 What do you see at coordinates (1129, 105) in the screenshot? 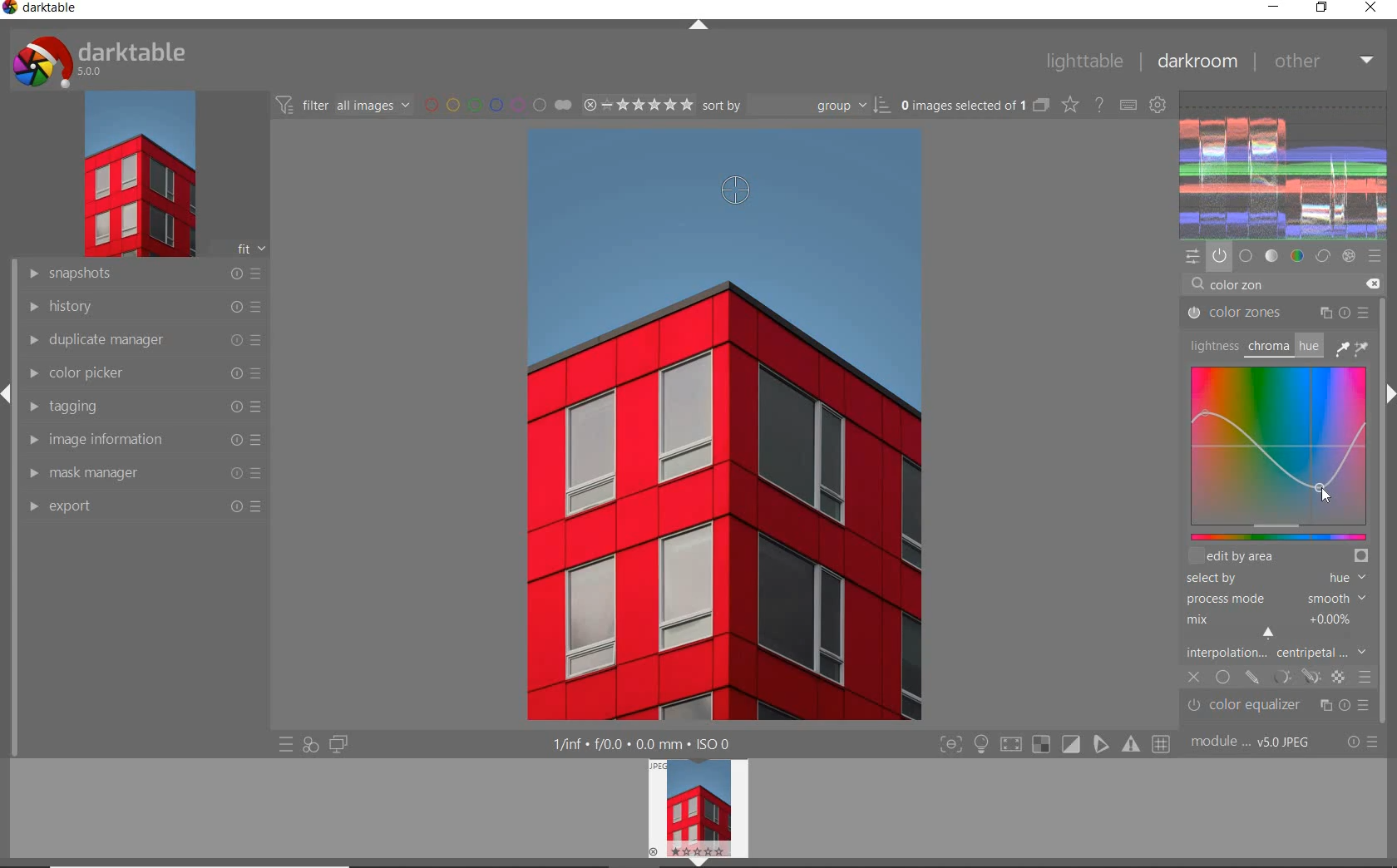
I see `define keyboard shortcuts` at bounding box center [1129, 105].